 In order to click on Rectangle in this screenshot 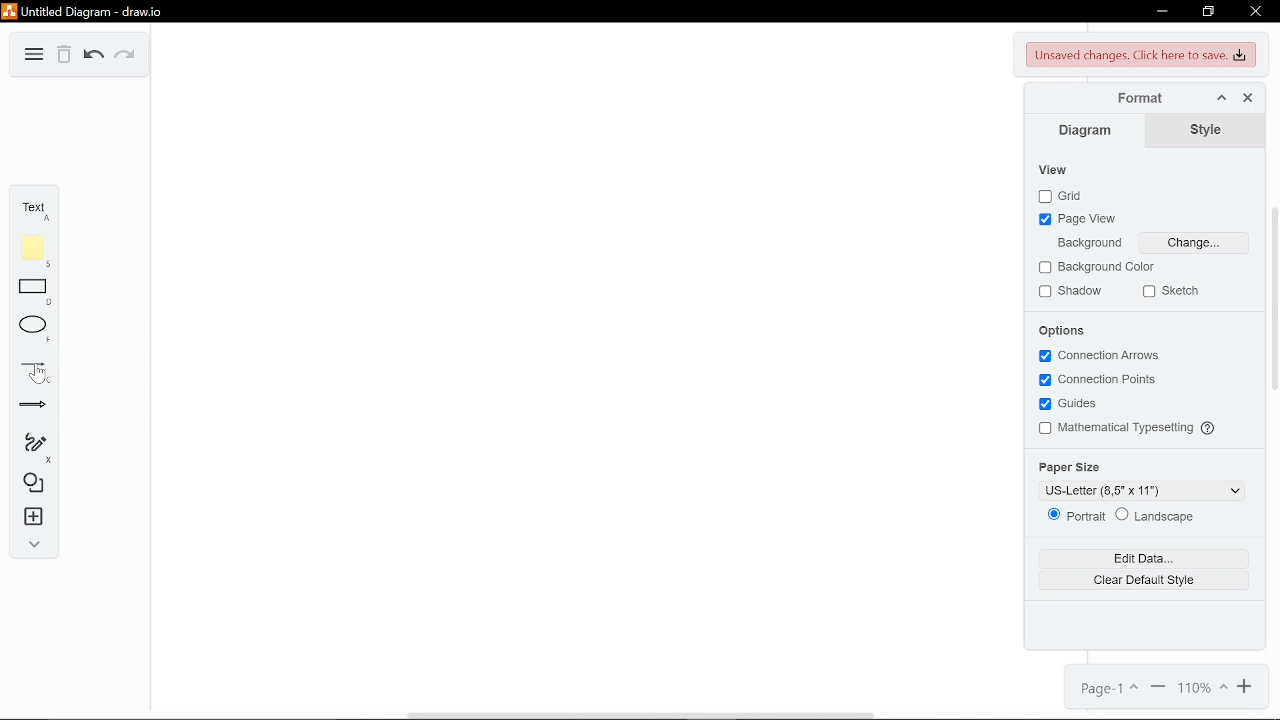, I will do `click(34, 292)`.